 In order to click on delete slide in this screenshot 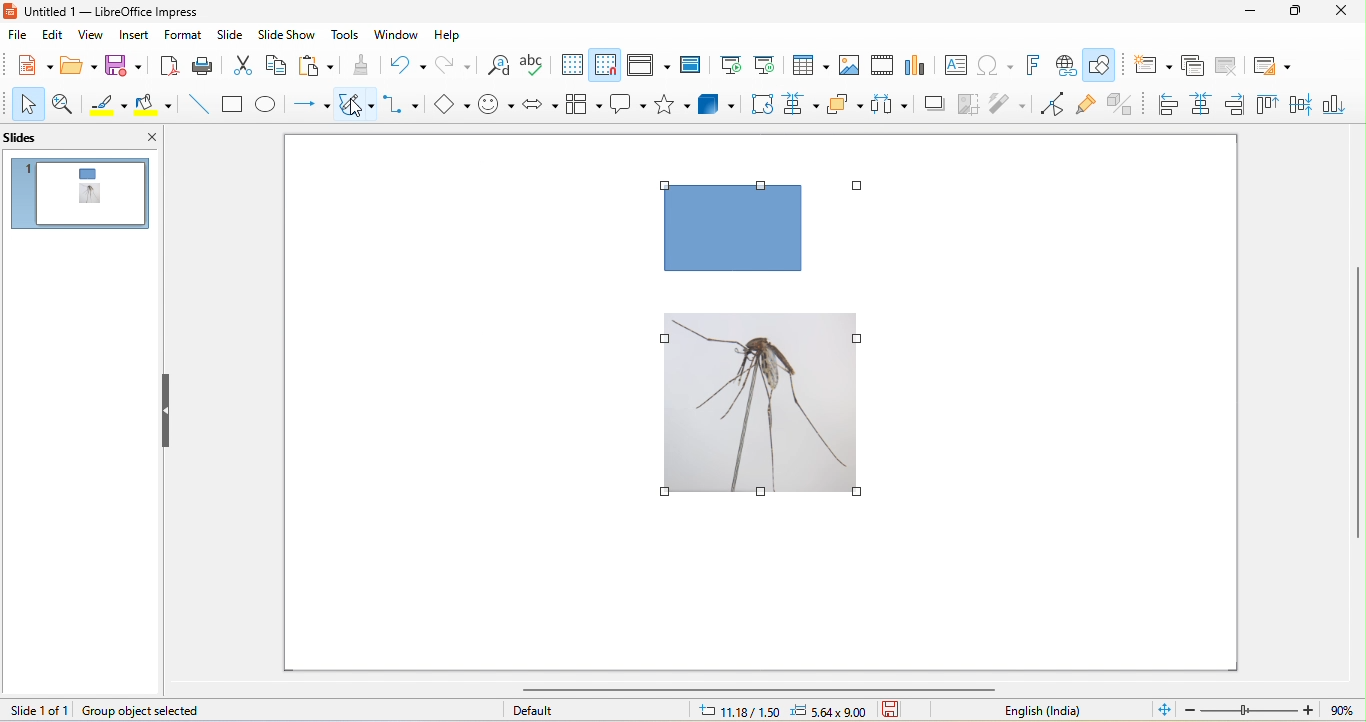, I will do `click(1230, 66)`.